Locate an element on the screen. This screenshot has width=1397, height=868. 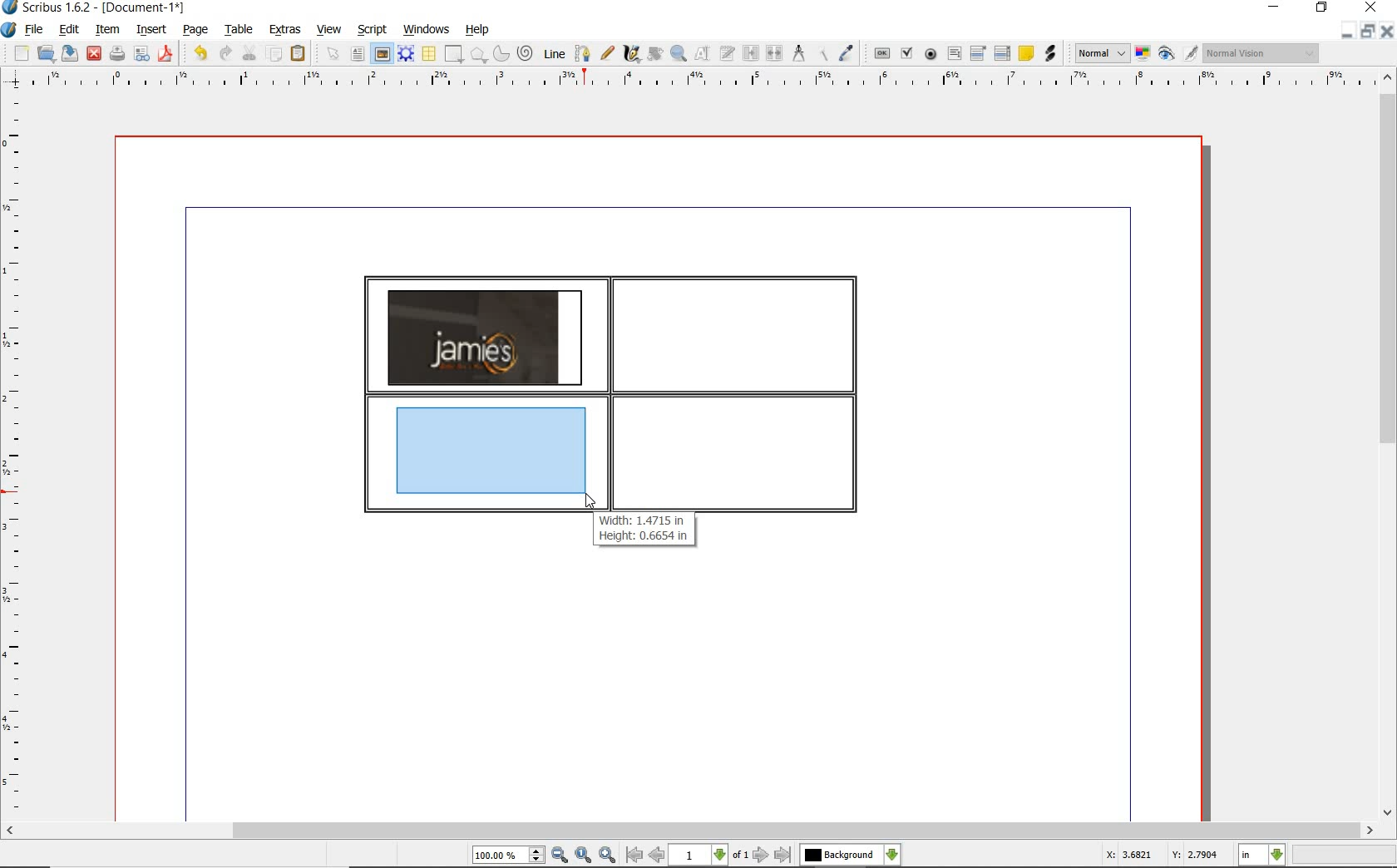
line is located at coordinates (555, 52).